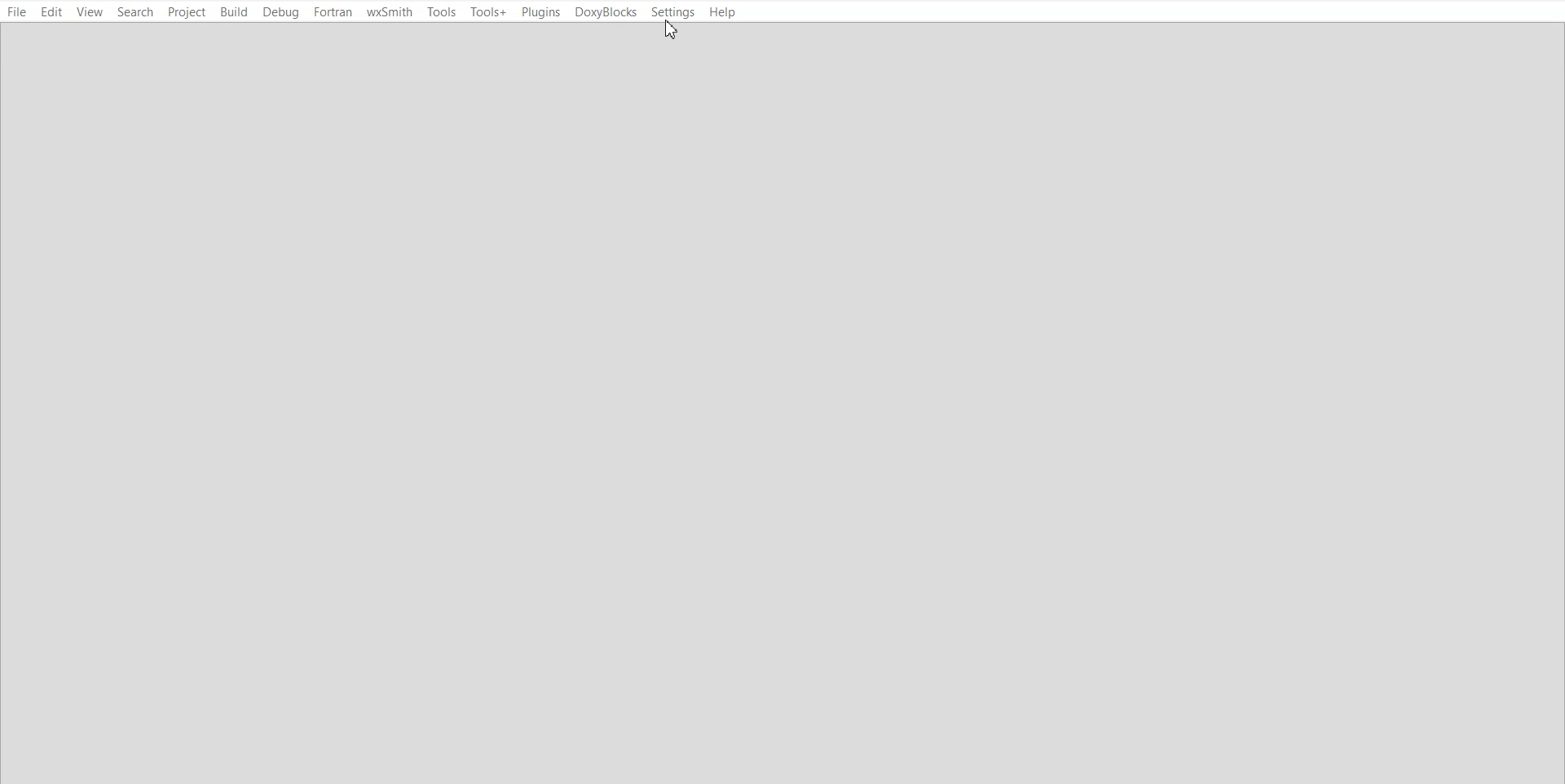 The image size is (1565, 784). Describe the element at coordinates (53, 12) in the screenshot. I see `Edit` at that location.